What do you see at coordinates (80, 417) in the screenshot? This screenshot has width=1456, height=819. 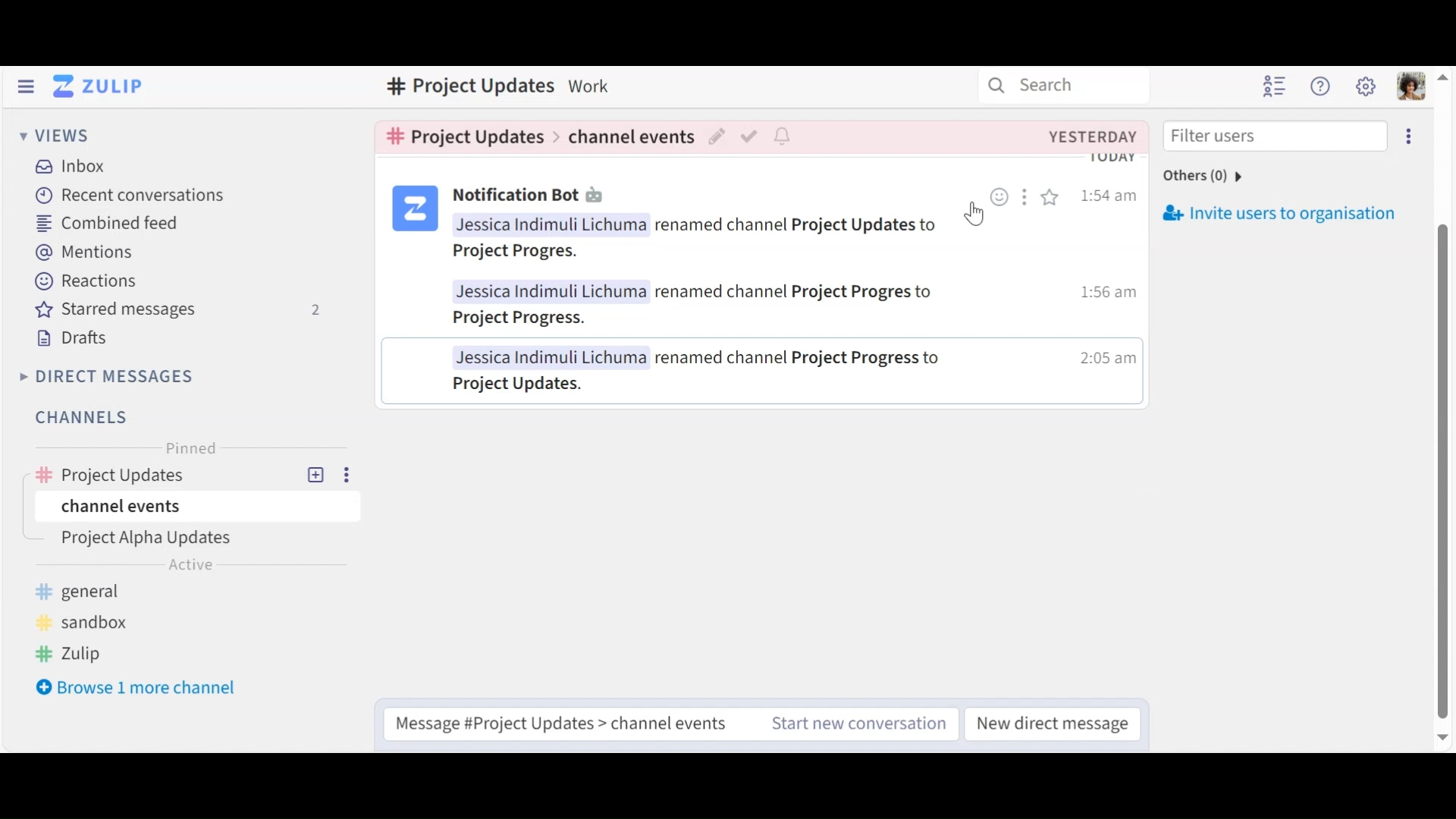 I see `Channels` at bounding box center [80, 417].